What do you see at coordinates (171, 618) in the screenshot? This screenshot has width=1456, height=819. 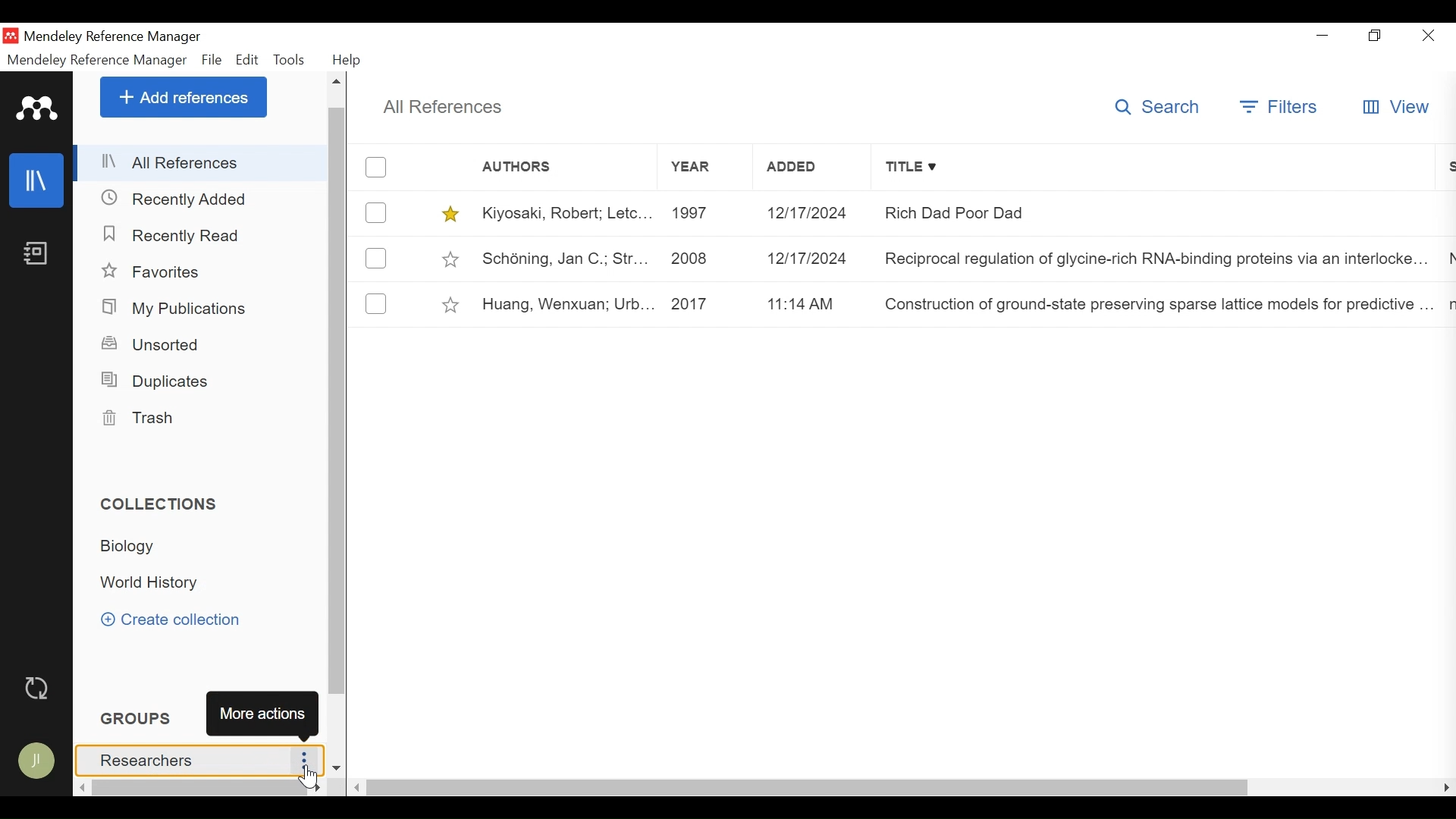 I see `Create Collection` at bounding box center [171, 618].